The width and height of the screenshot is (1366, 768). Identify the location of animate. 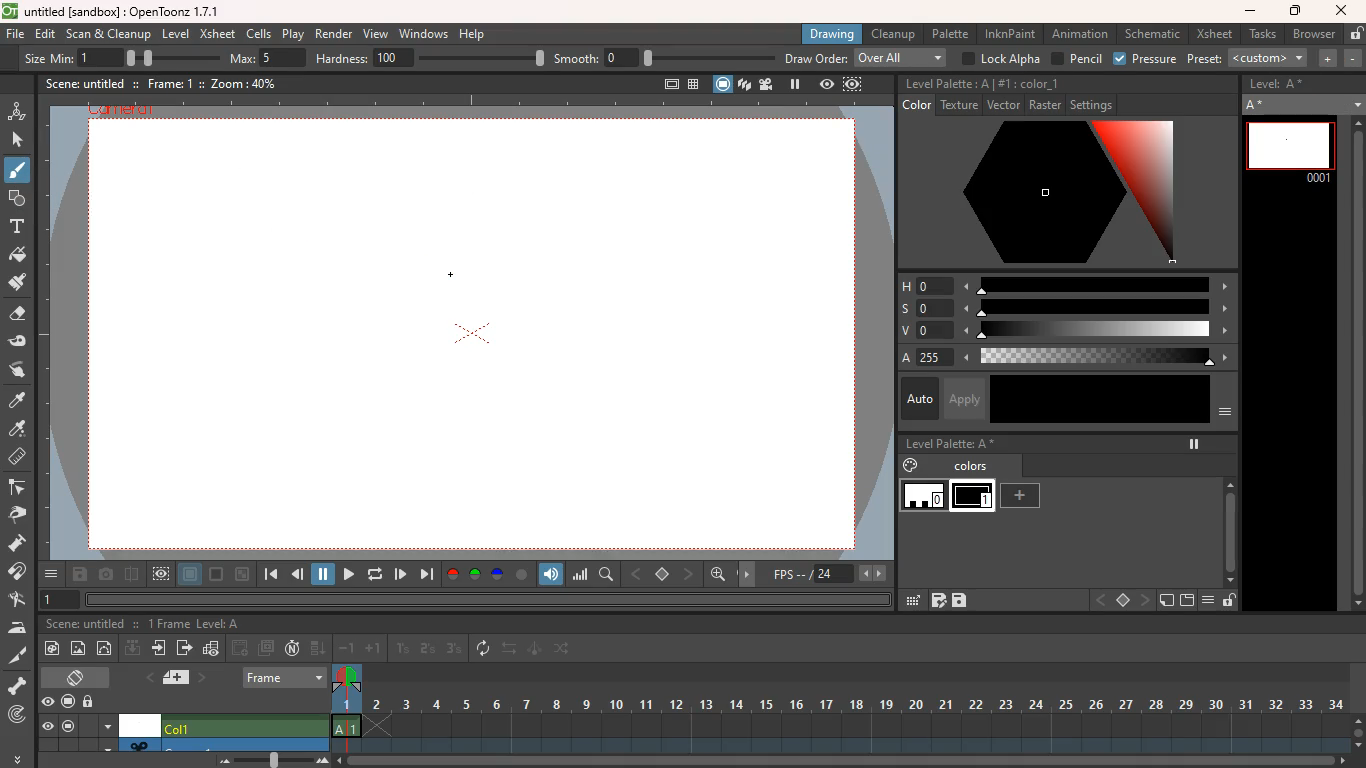
(535, 650).